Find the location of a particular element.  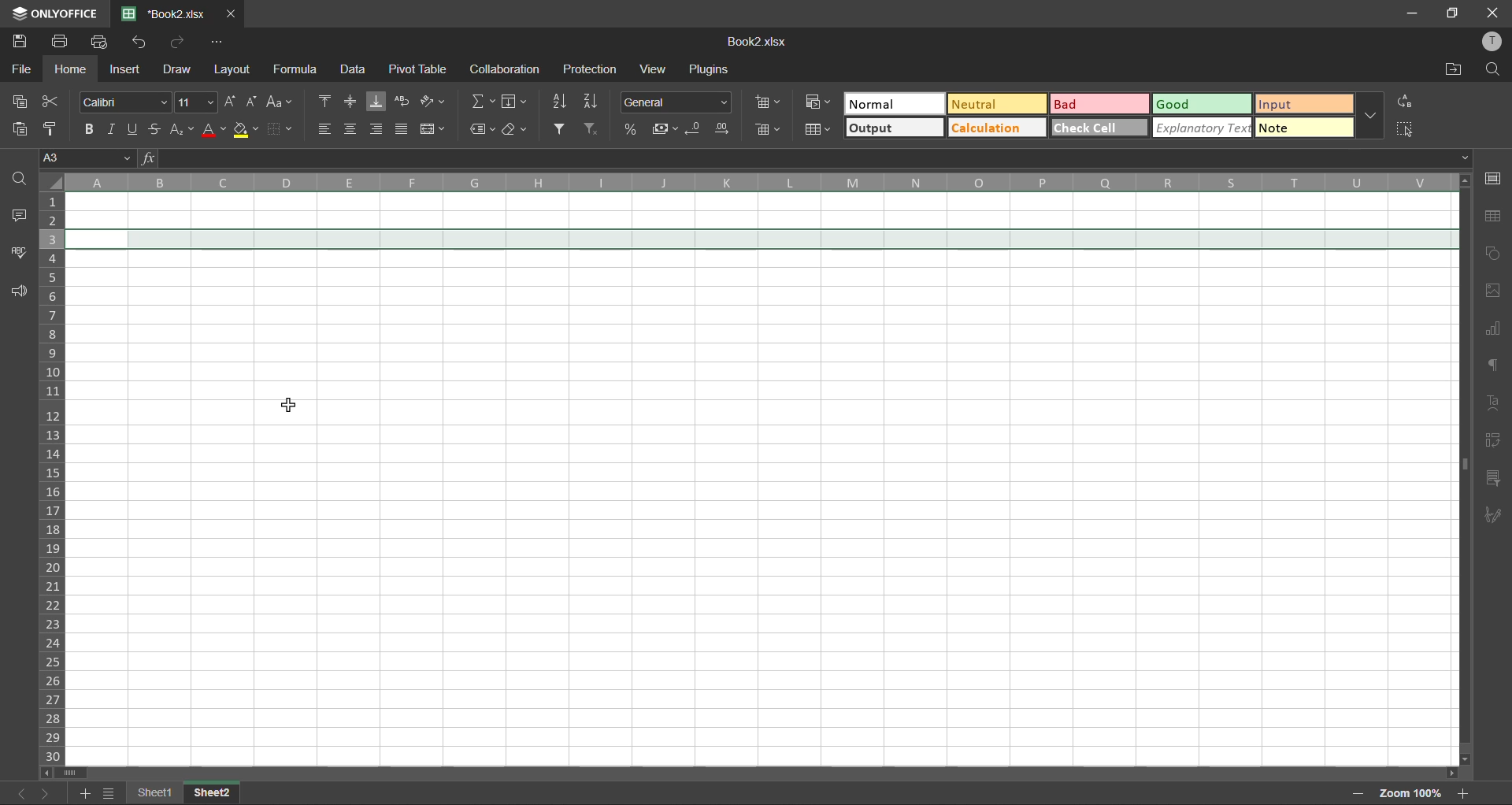

named ranges is located at coordinates (481, 128).